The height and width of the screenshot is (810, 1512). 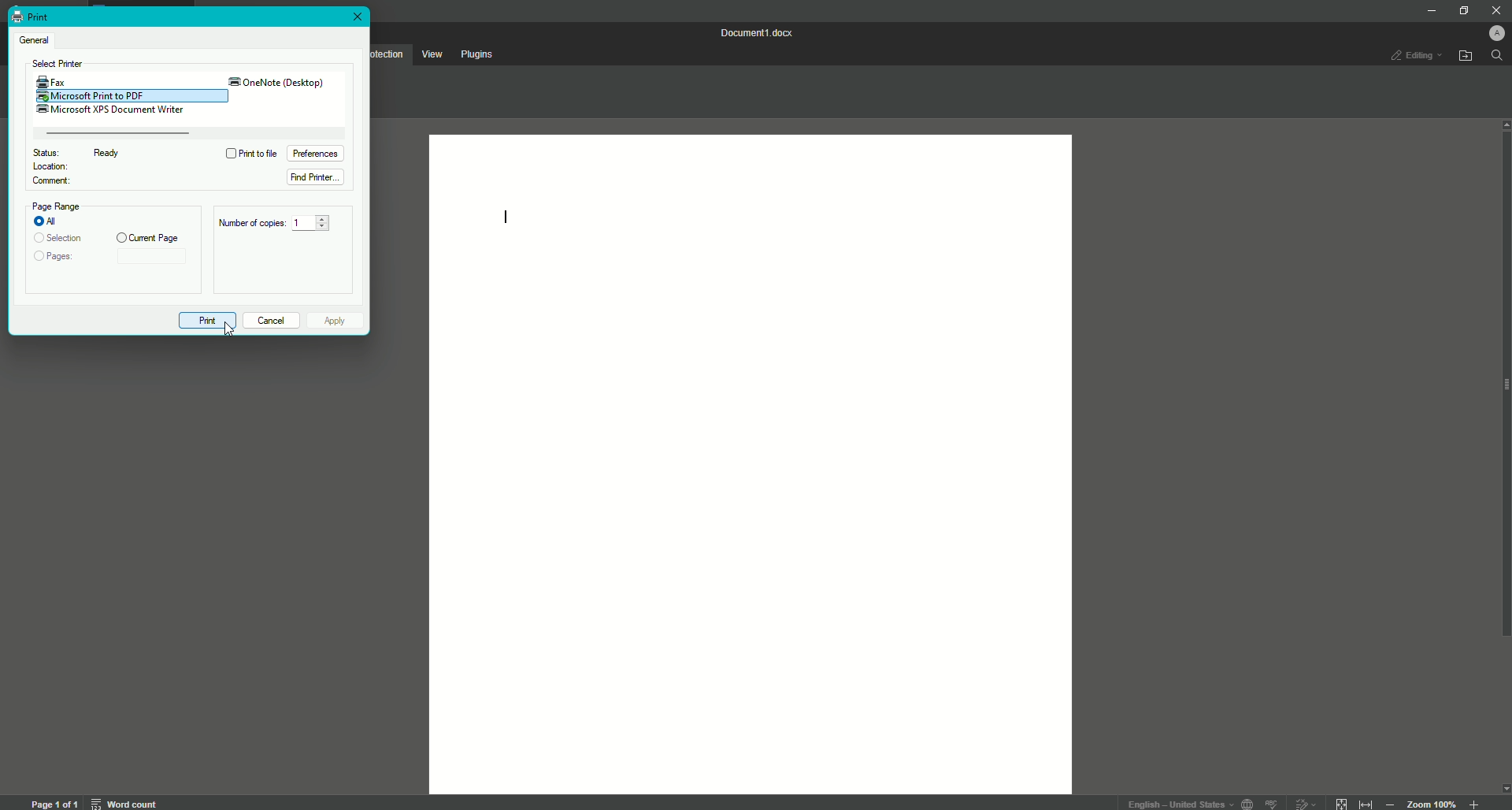 What do you see at coordinates (276, 82) in the screenshot?
I see `OneNote` at bounding box center [276, 82].